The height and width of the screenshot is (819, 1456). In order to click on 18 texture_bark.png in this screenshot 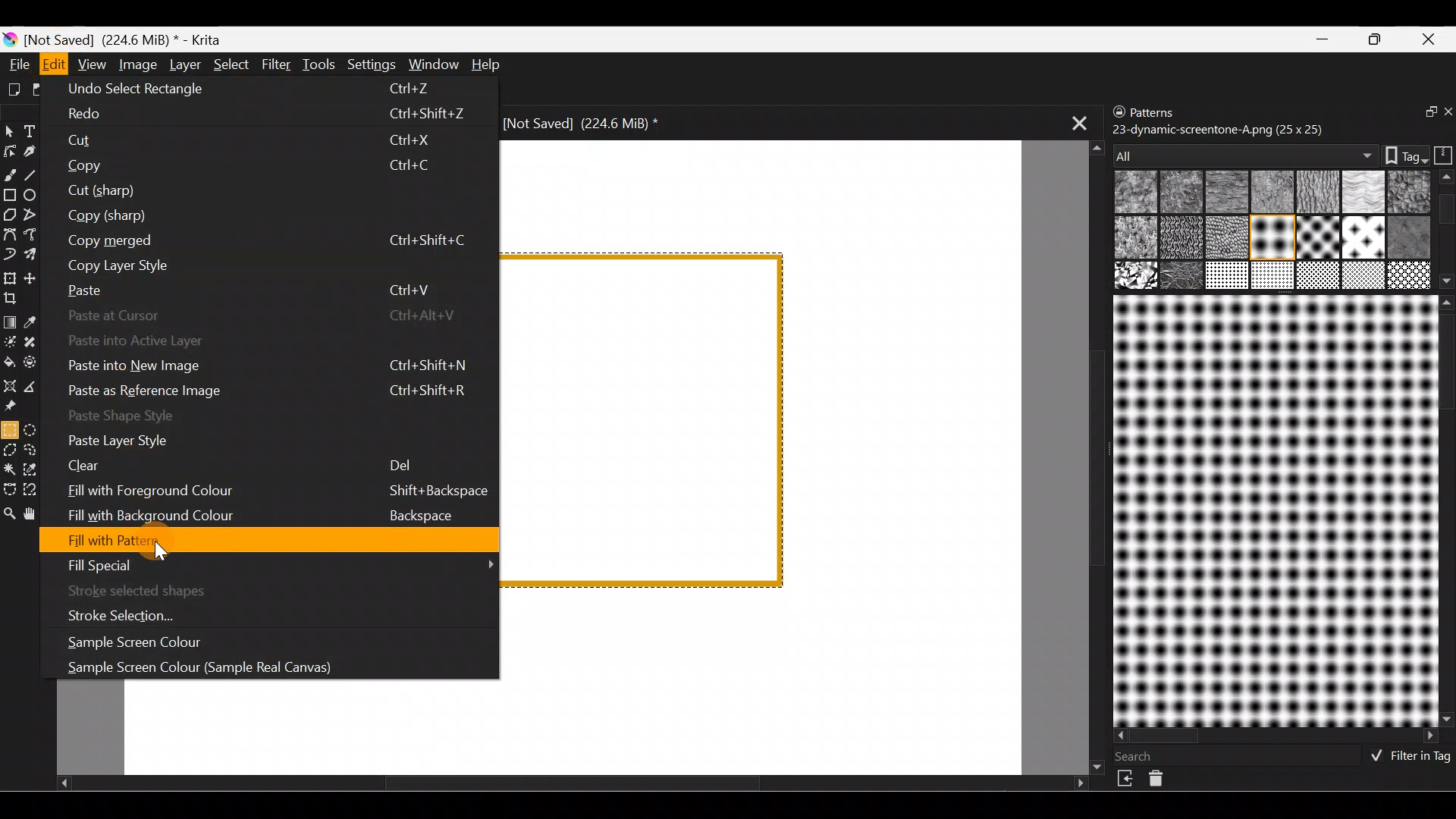, I will do `click(1316, 277)`.